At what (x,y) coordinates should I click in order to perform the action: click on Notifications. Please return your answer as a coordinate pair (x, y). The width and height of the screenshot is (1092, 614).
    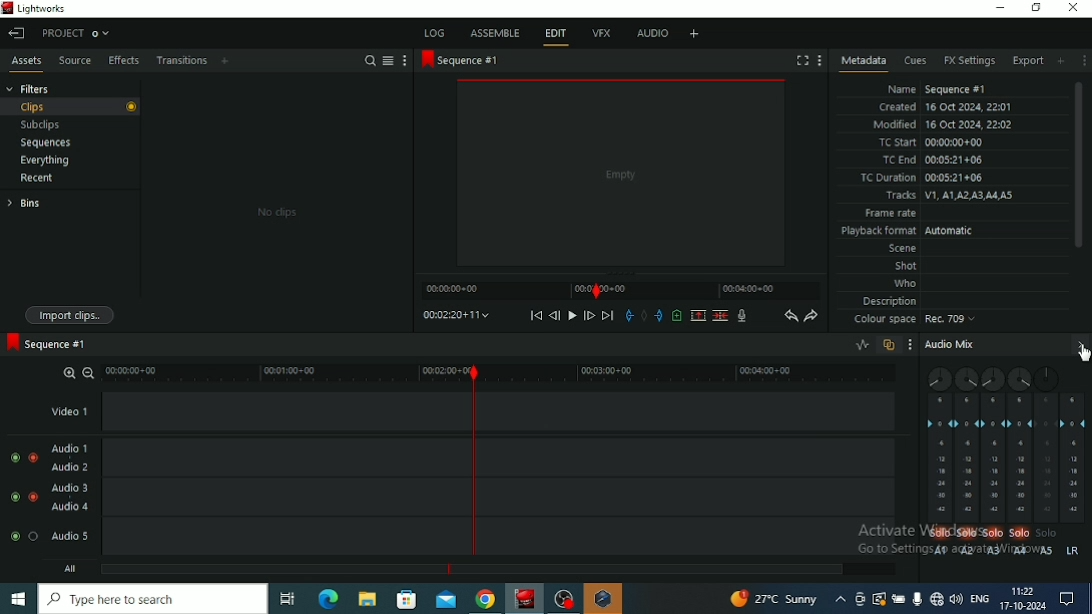
    Looking at the image, I should click on (1067, 599).